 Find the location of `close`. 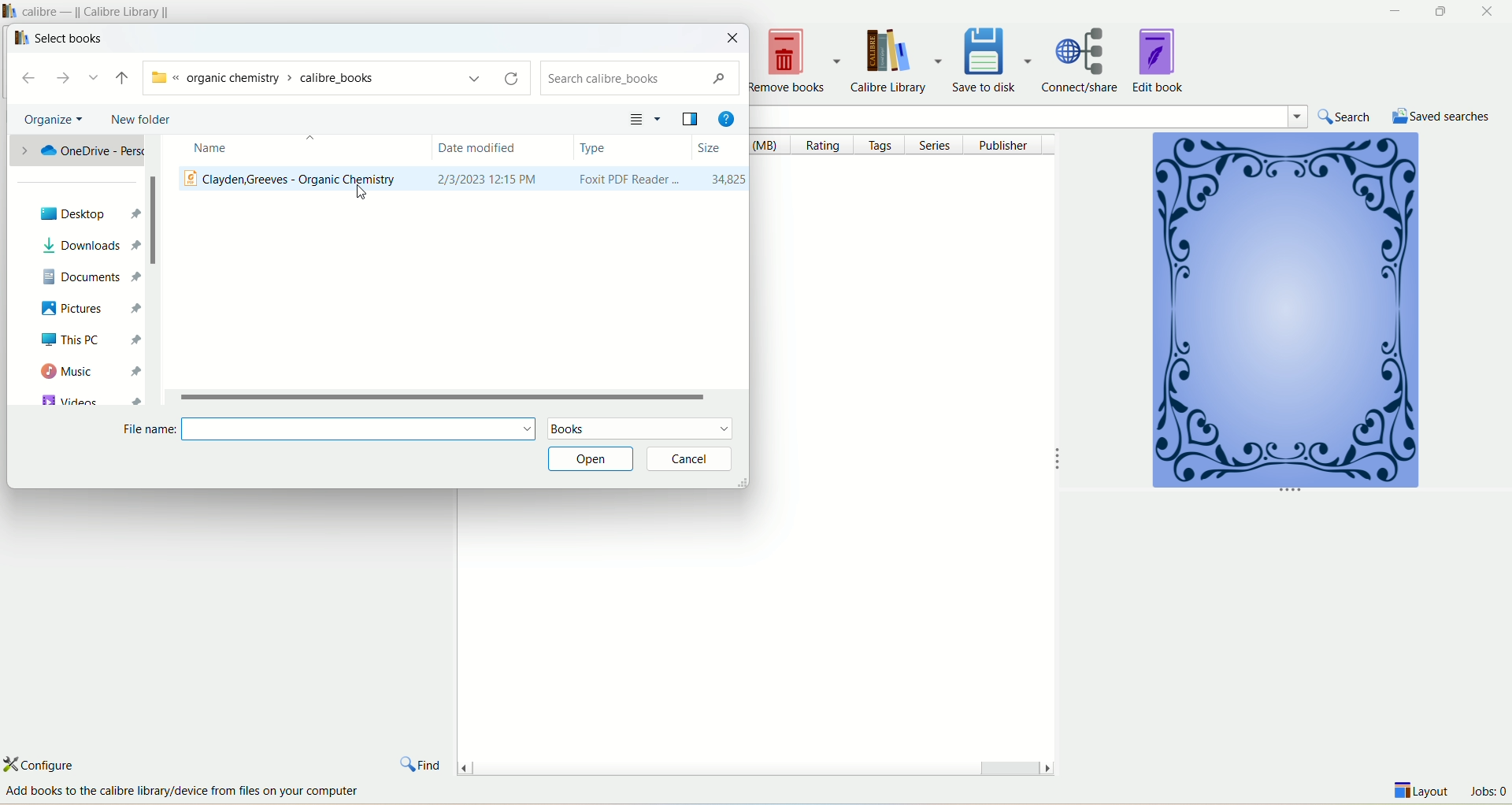

close is located at coordinates (734, 38).